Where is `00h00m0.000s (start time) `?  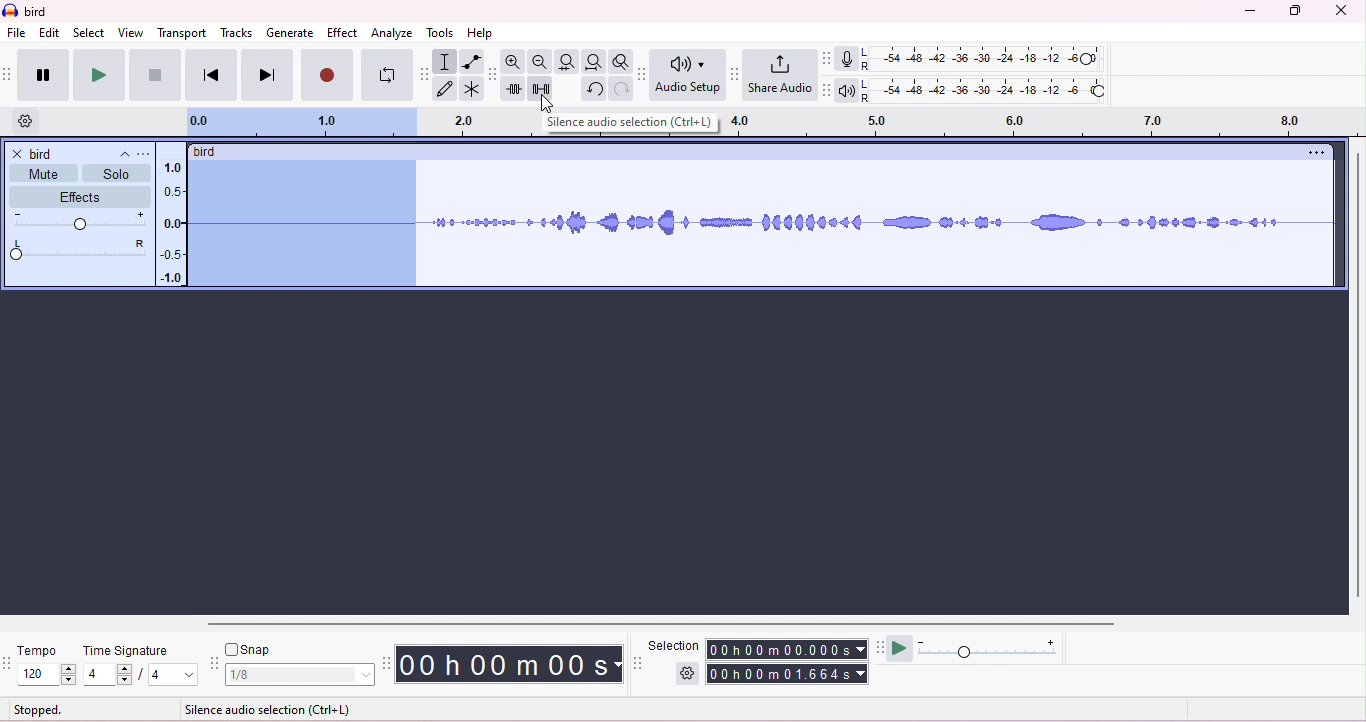 00h00m0.000s (start time)  is located at coordinates (788, 648).